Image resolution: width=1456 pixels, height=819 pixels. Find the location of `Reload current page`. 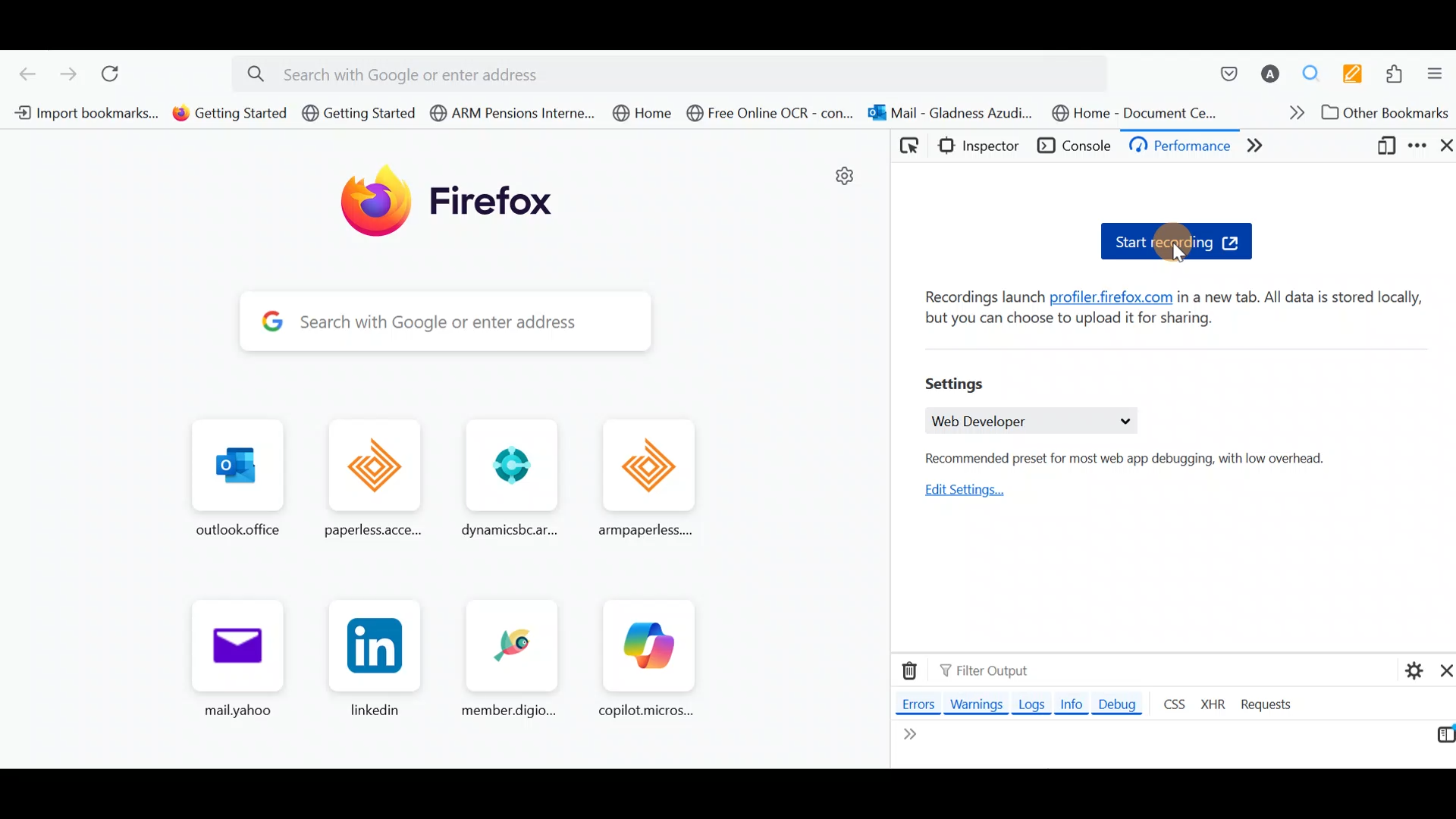

Reload current page is located at coordinates (121, 76).